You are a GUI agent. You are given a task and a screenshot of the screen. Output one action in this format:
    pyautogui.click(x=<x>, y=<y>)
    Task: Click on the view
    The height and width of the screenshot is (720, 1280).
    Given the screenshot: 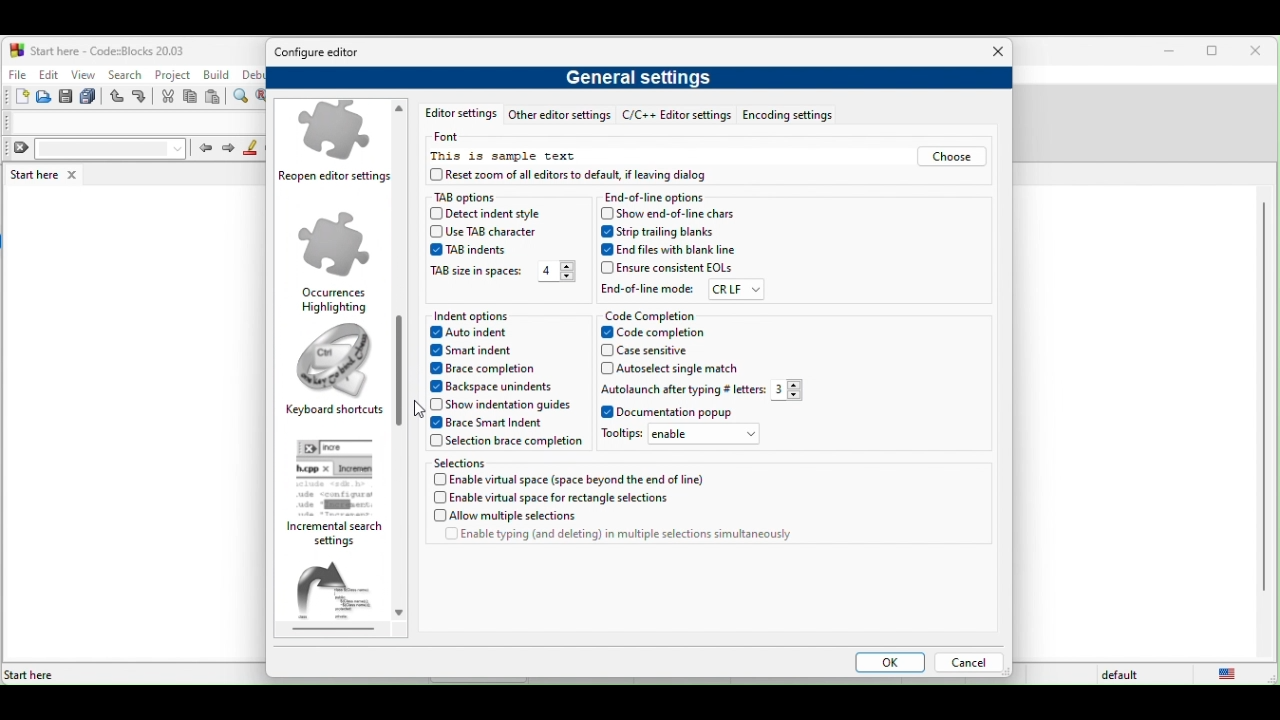 What is the action you would take?
    pyautogui.click(x=84, y=74)
    